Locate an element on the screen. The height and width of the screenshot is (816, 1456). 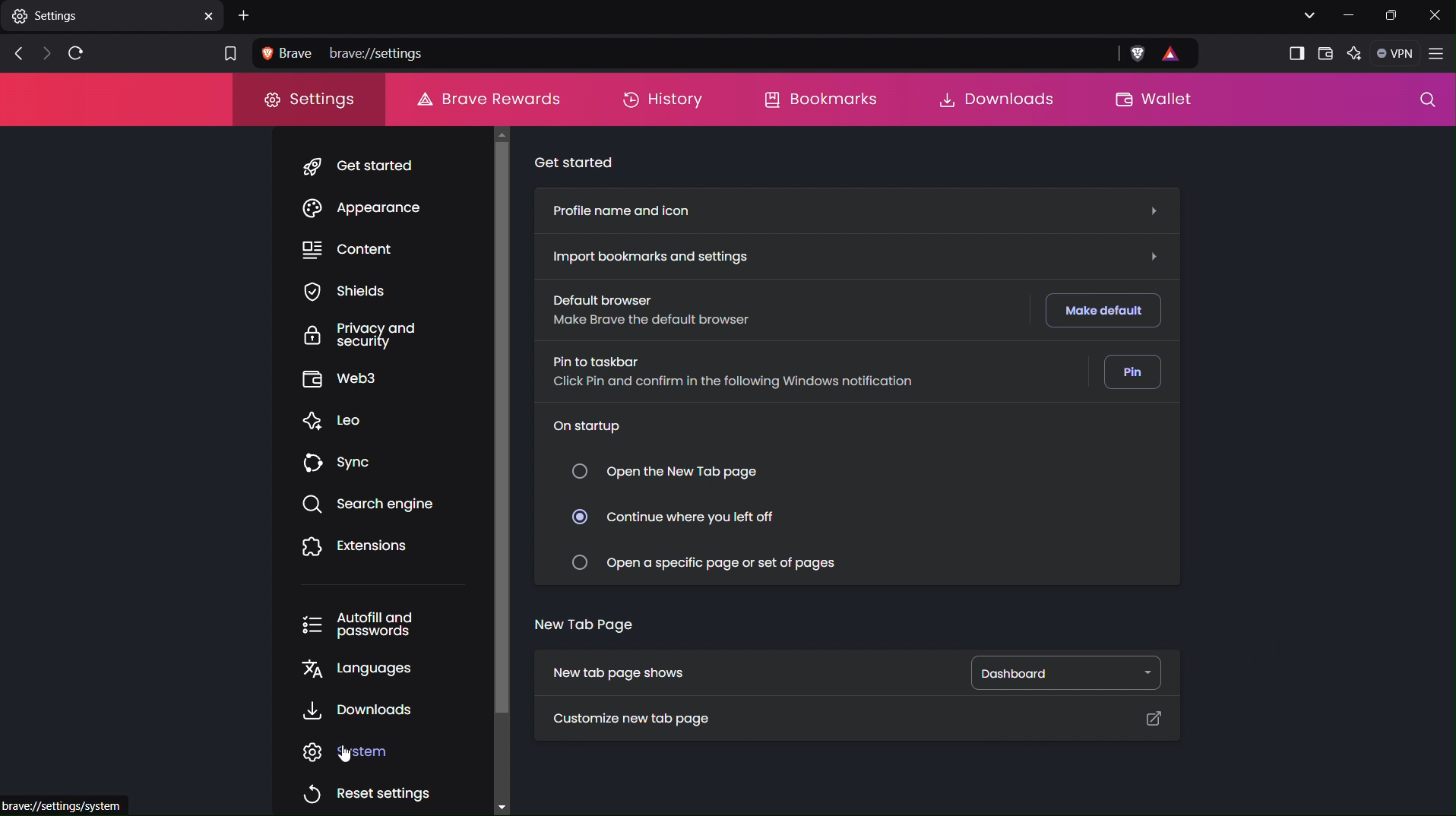
Address Bar is located at coordinates (727, 54).